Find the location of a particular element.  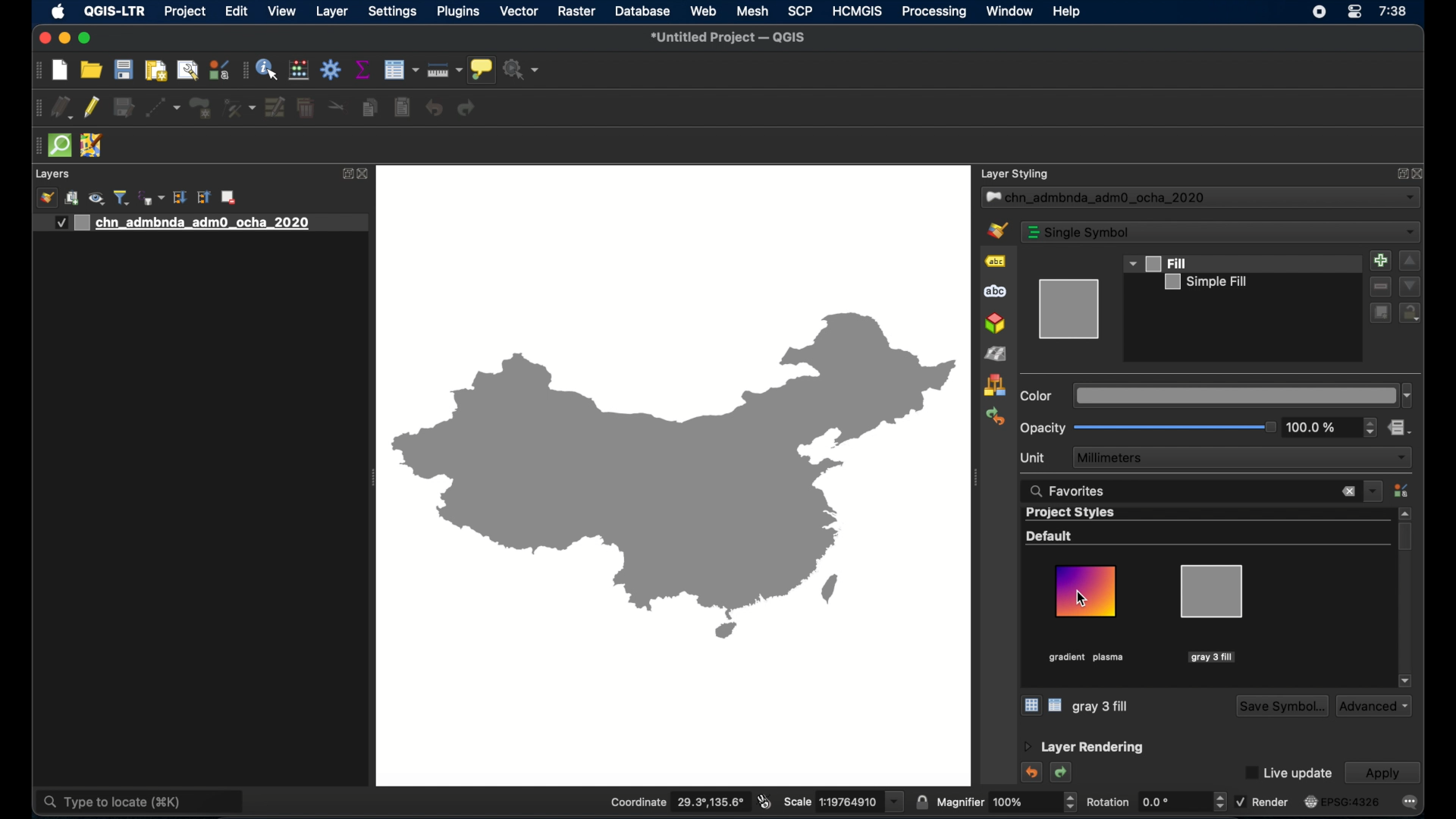

save edits is located at coordinates (124, 108).